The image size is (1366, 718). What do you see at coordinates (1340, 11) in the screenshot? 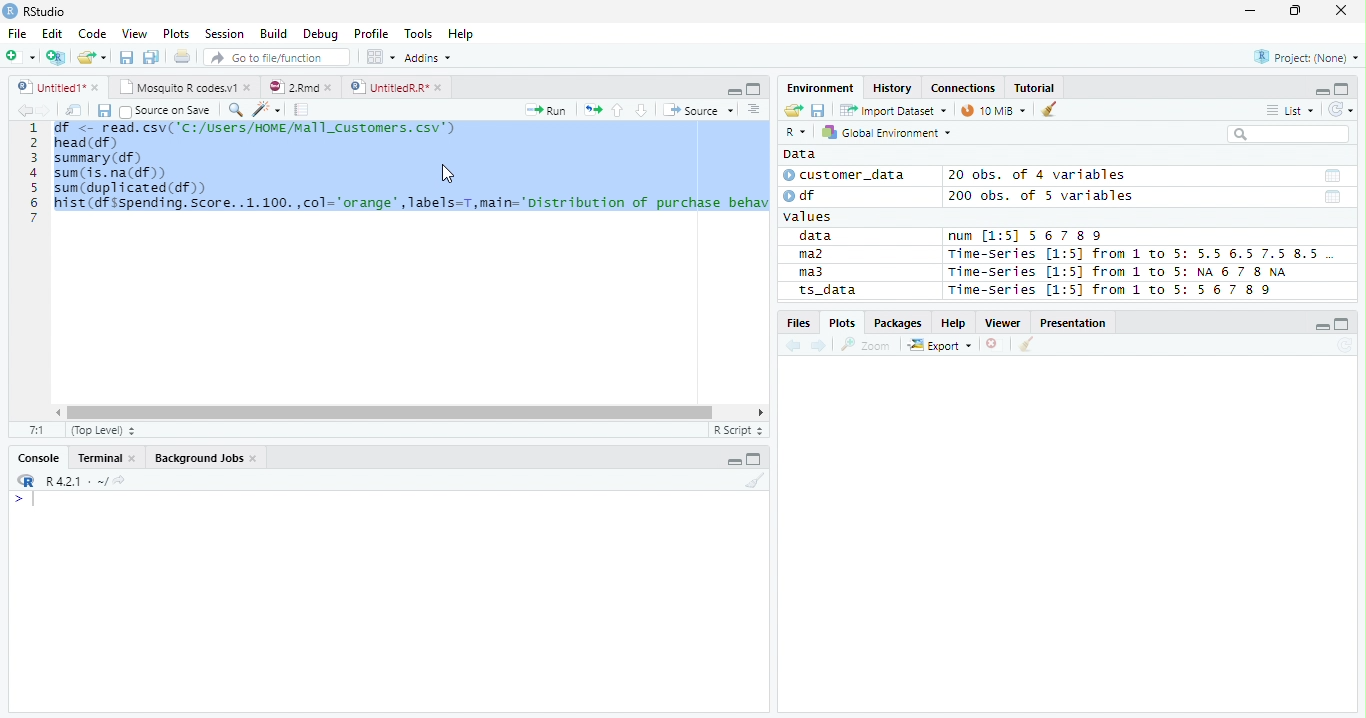
I see `Close` at bounding box center [1340, 11].